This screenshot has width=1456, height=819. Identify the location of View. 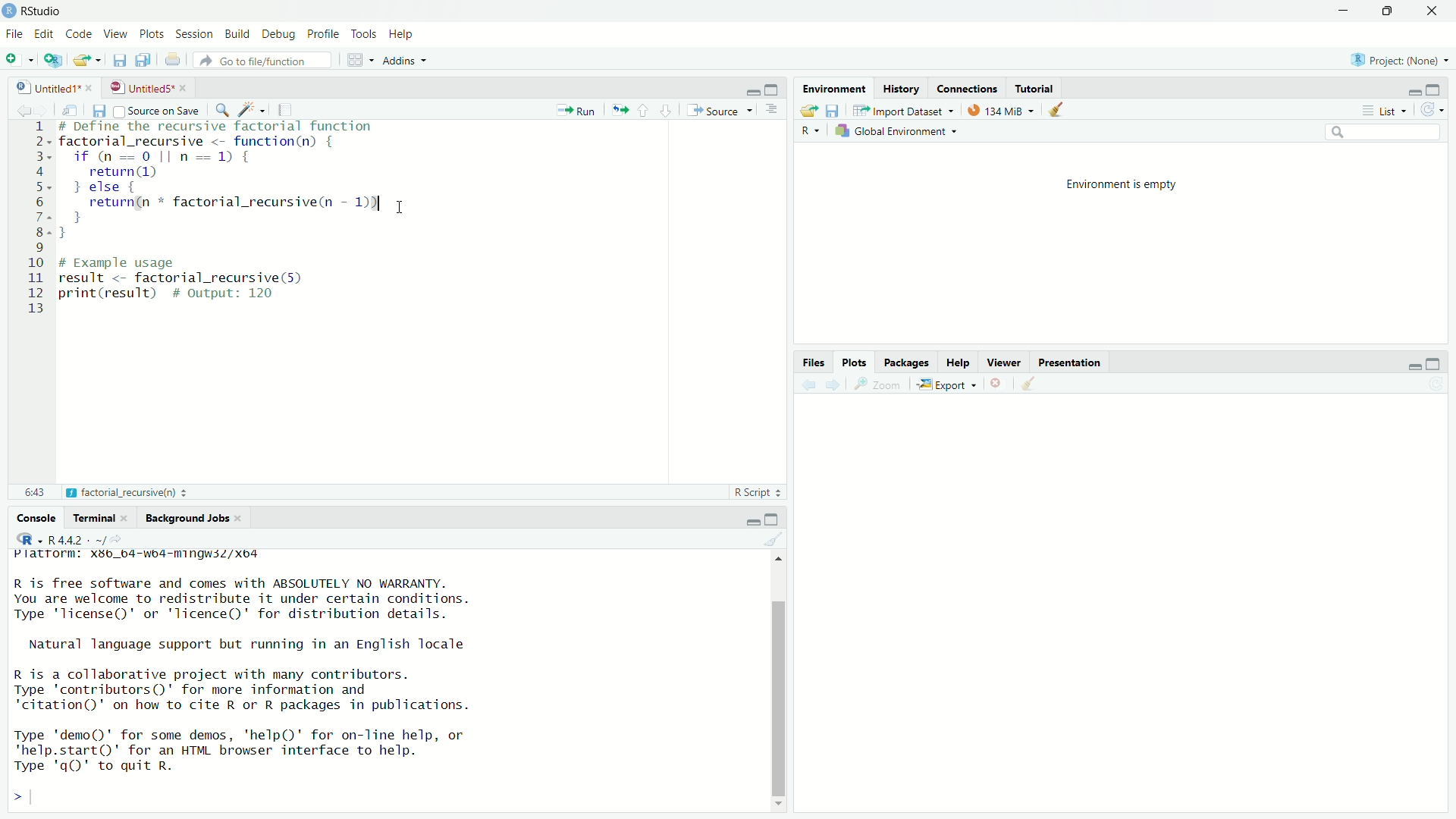
(115, 33).